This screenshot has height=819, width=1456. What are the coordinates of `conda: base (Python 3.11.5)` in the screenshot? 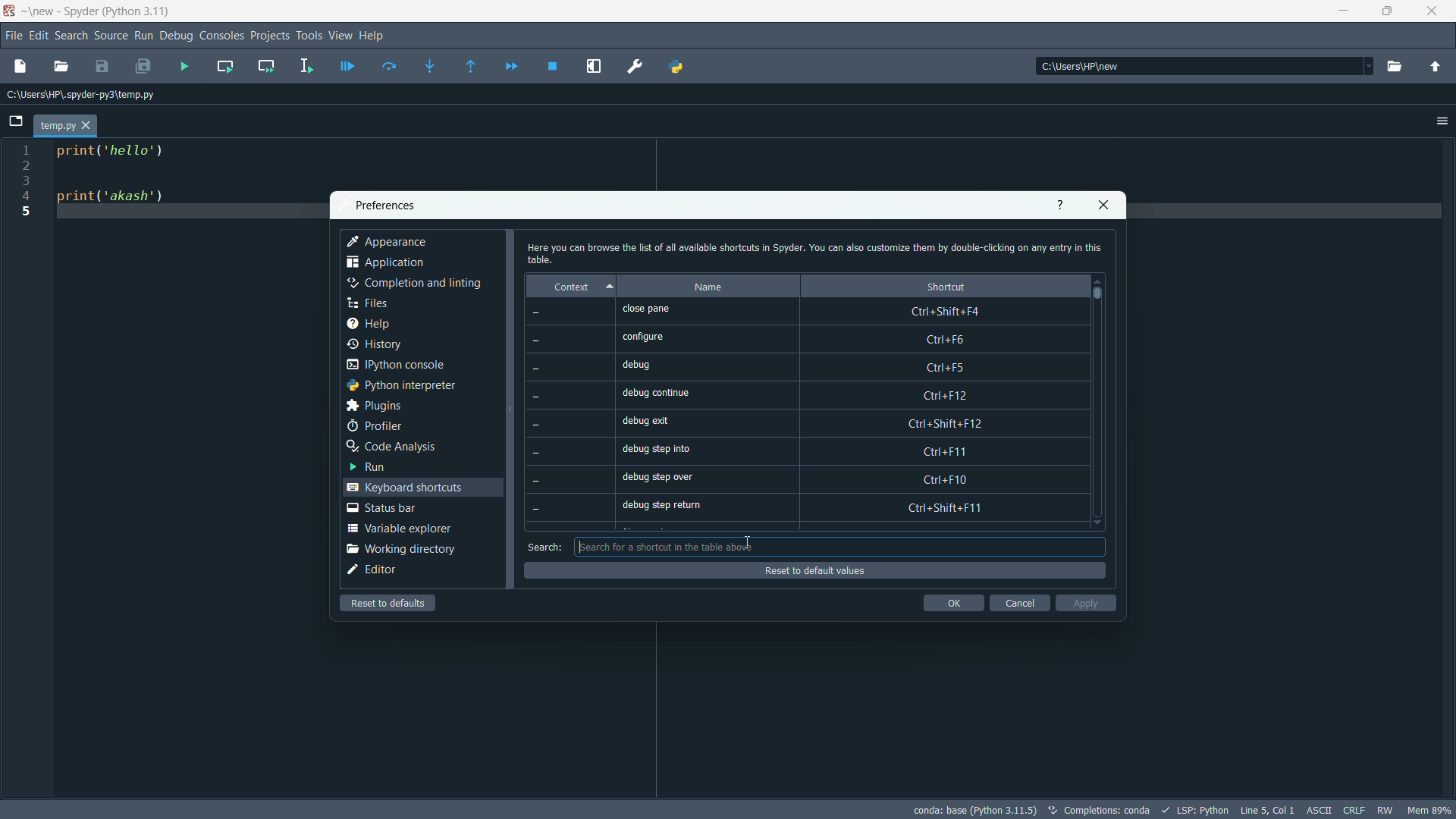 It's located at (974, 811).